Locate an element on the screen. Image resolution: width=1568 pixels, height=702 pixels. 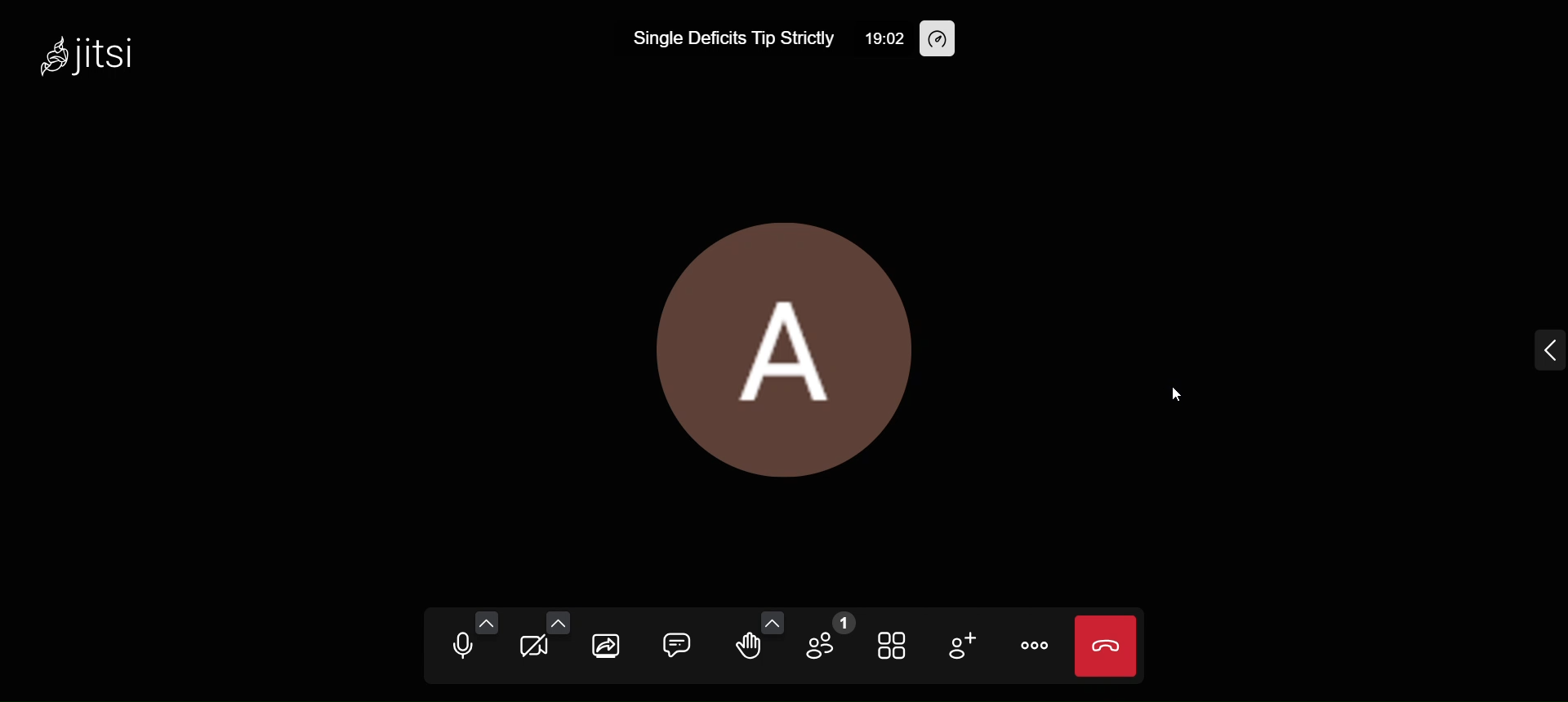
performance setting is located at coordinates (937, 40).